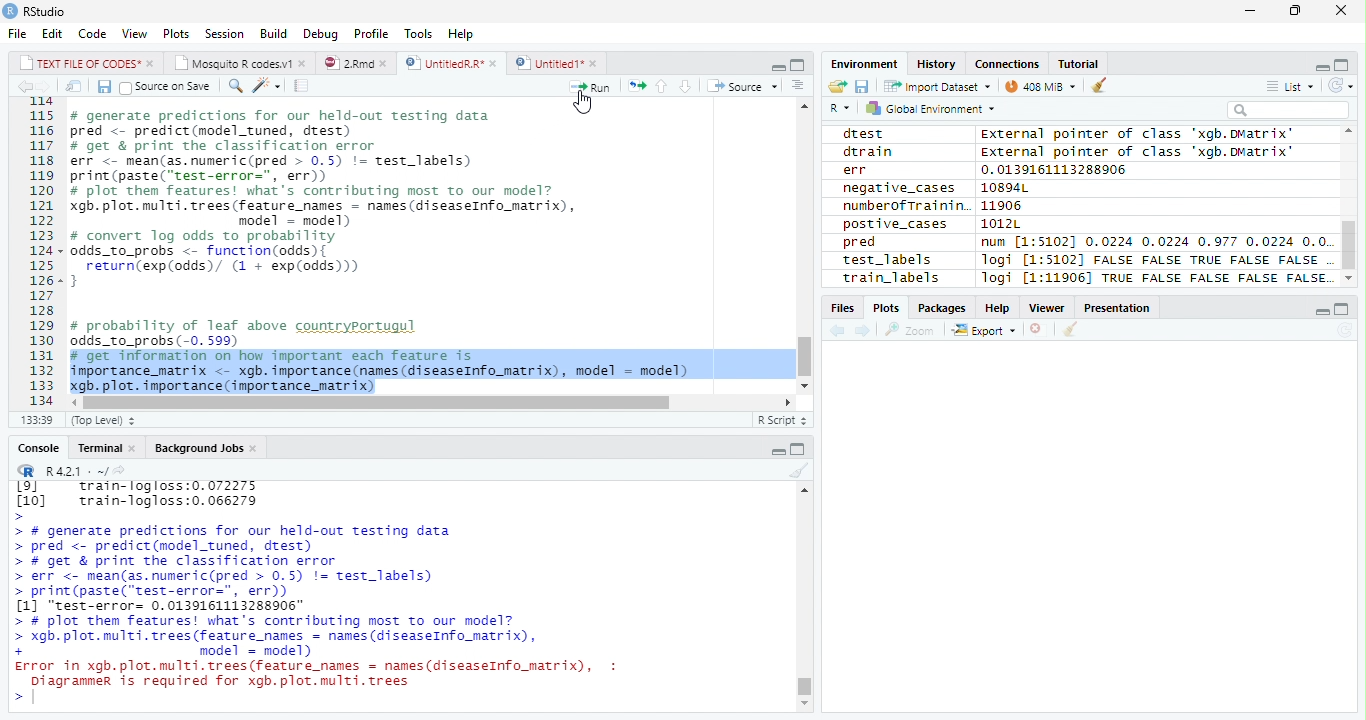  Describe the element at coordinates (1288, 110) in the screenshot. I see `Search` at that location.